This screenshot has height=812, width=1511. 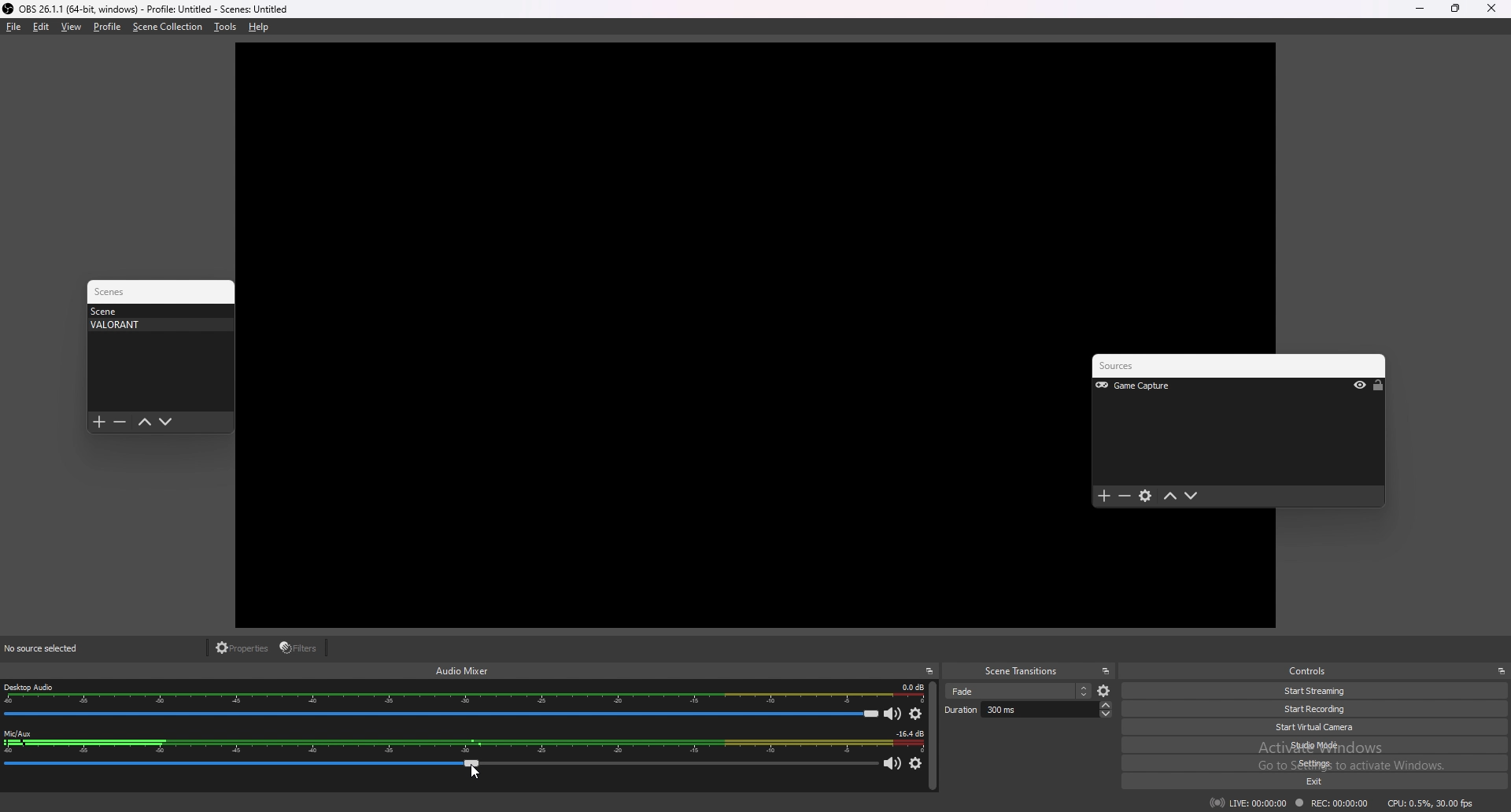 What do you see at coordinates (463, 743) in the screenshot?
I see `mic/aux` at bounding box center [463, 743].